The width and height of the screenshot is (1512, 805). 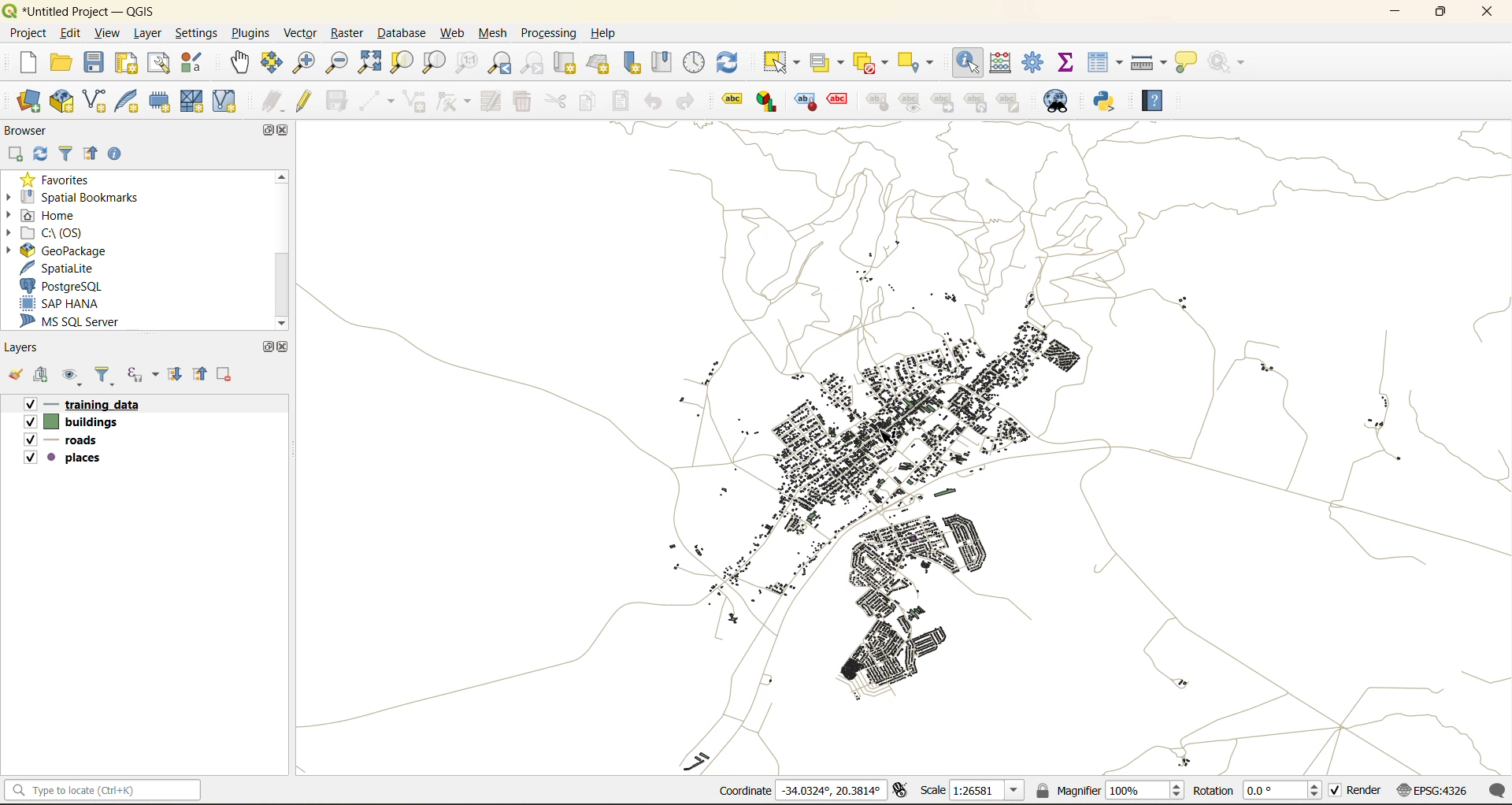 I want to click on linked label, so click(x=947, y=102).